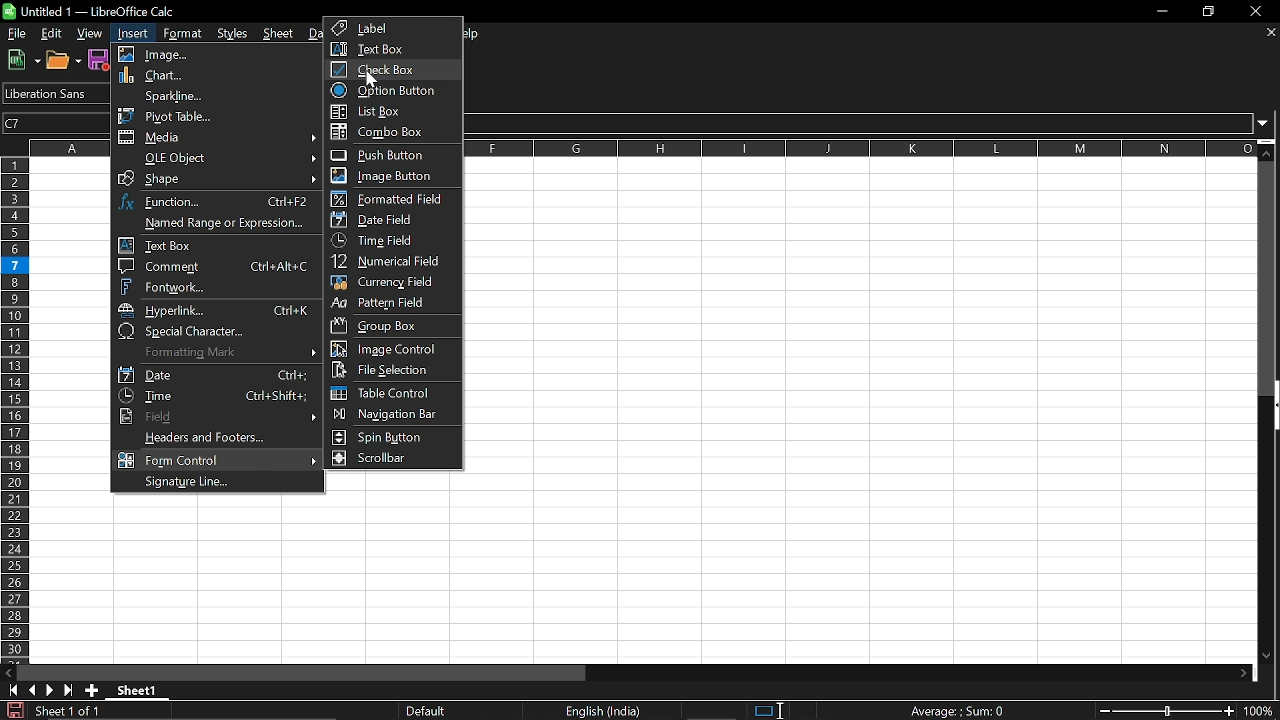 The width and height of the screenshot is (1280, 720). What do you see at coordinates (281, 34) in the screenshot?
I see `Sheet` at bounding box center [281, 34].